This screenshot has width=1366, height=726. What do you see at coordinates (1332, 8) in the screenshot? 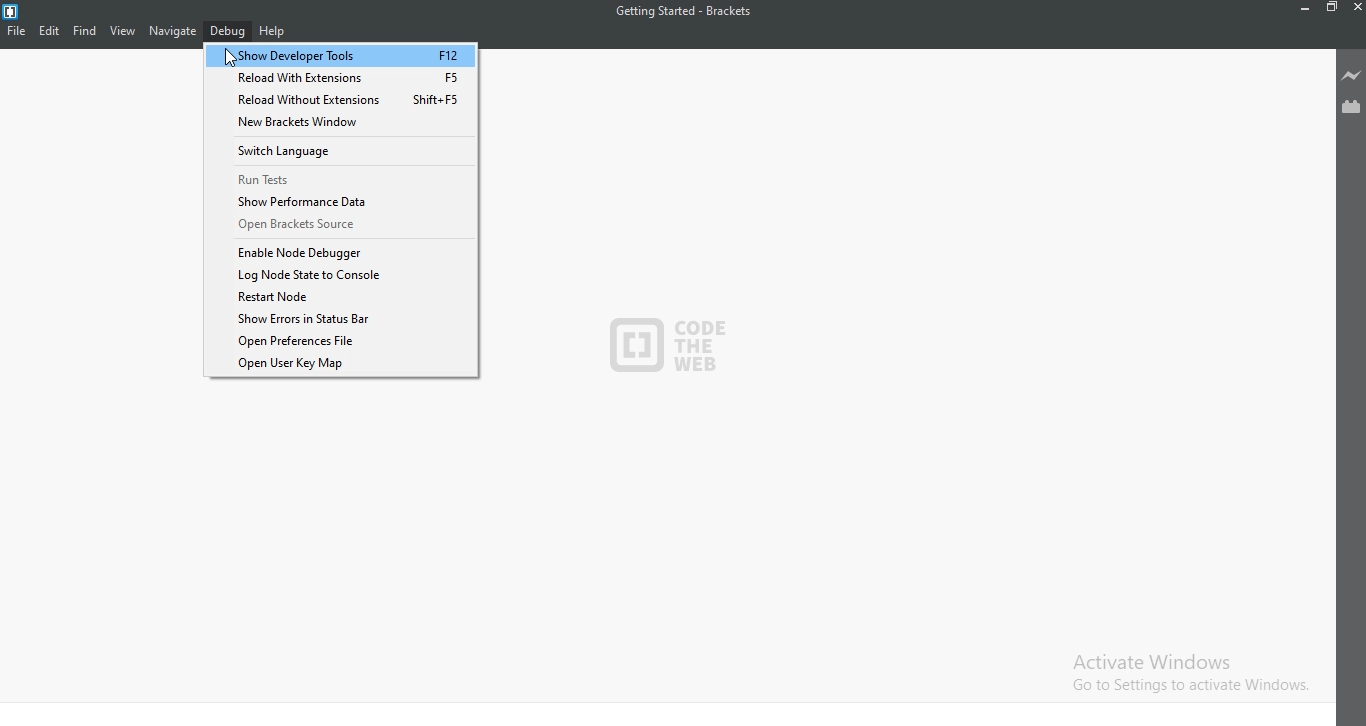
I see `Restore` at bounding box center [1332, 8].